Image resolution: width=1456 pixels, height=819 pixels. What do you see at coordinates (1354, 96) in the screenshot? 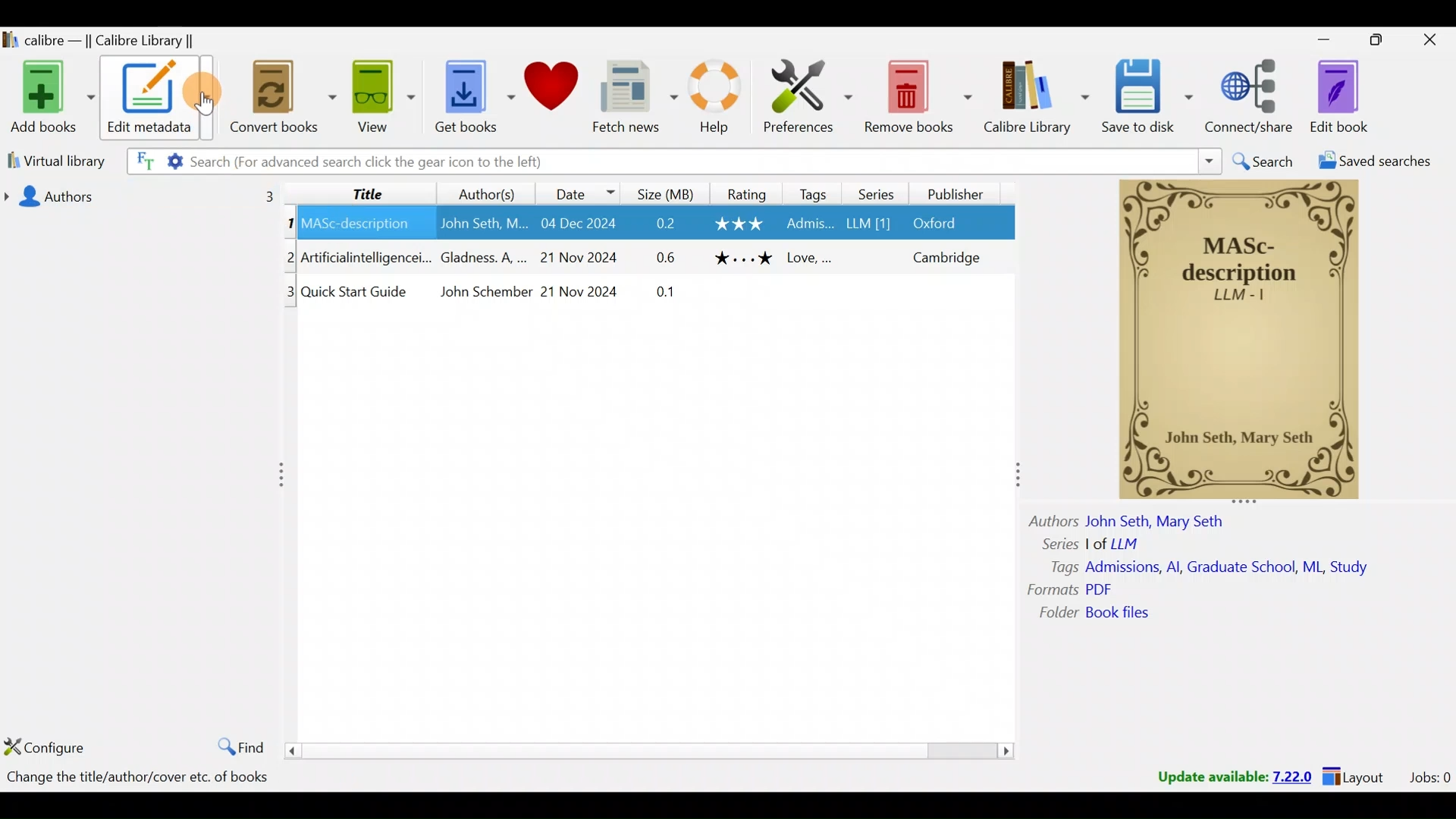
I see `Edit book` at bounding box center [1354, 96].